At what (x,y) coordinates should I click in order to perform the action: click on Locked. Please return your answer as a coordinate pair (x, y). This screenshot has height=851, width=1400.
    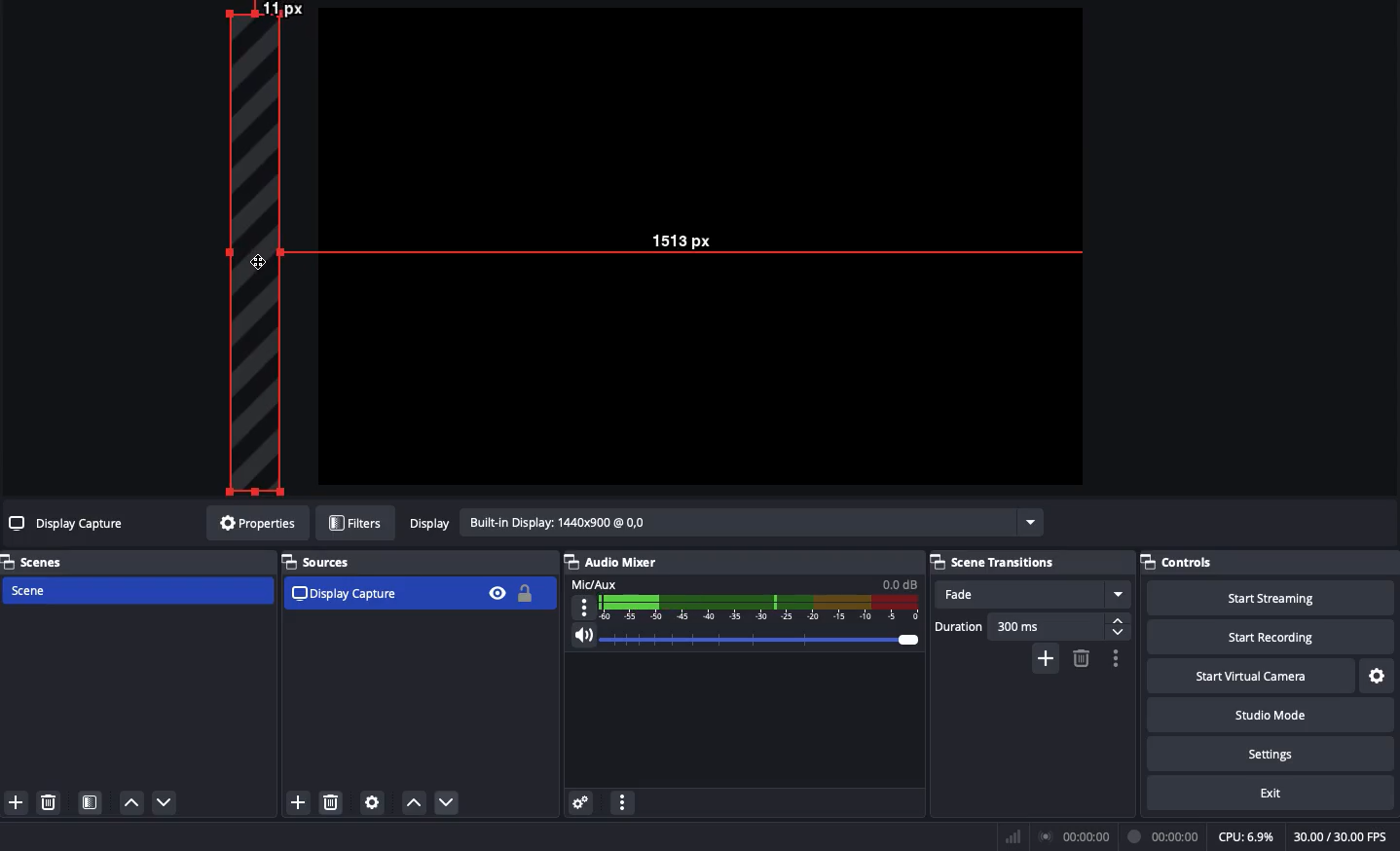
    Looking at the image, I should click on (523, 593).